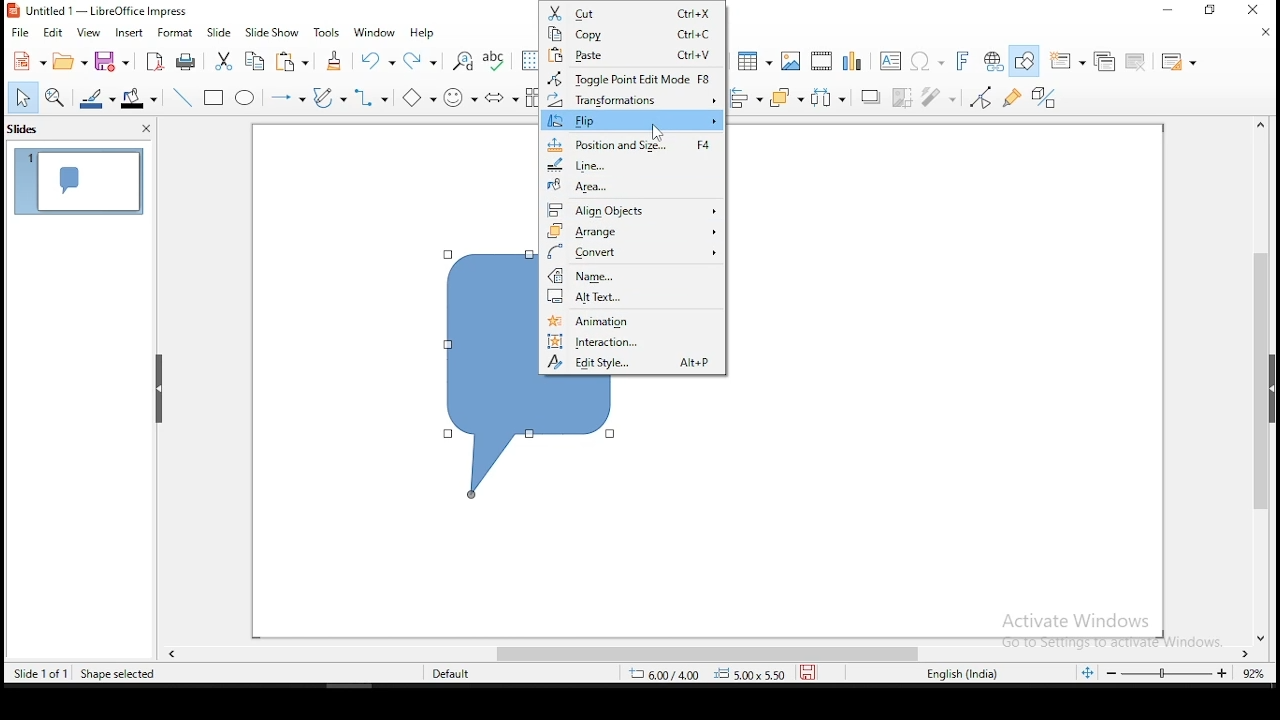 This screenshot has width=1280, height=720. Describe the element at coordinates (1259, 378) in the screenshot. I see `scroll bar` at that location.